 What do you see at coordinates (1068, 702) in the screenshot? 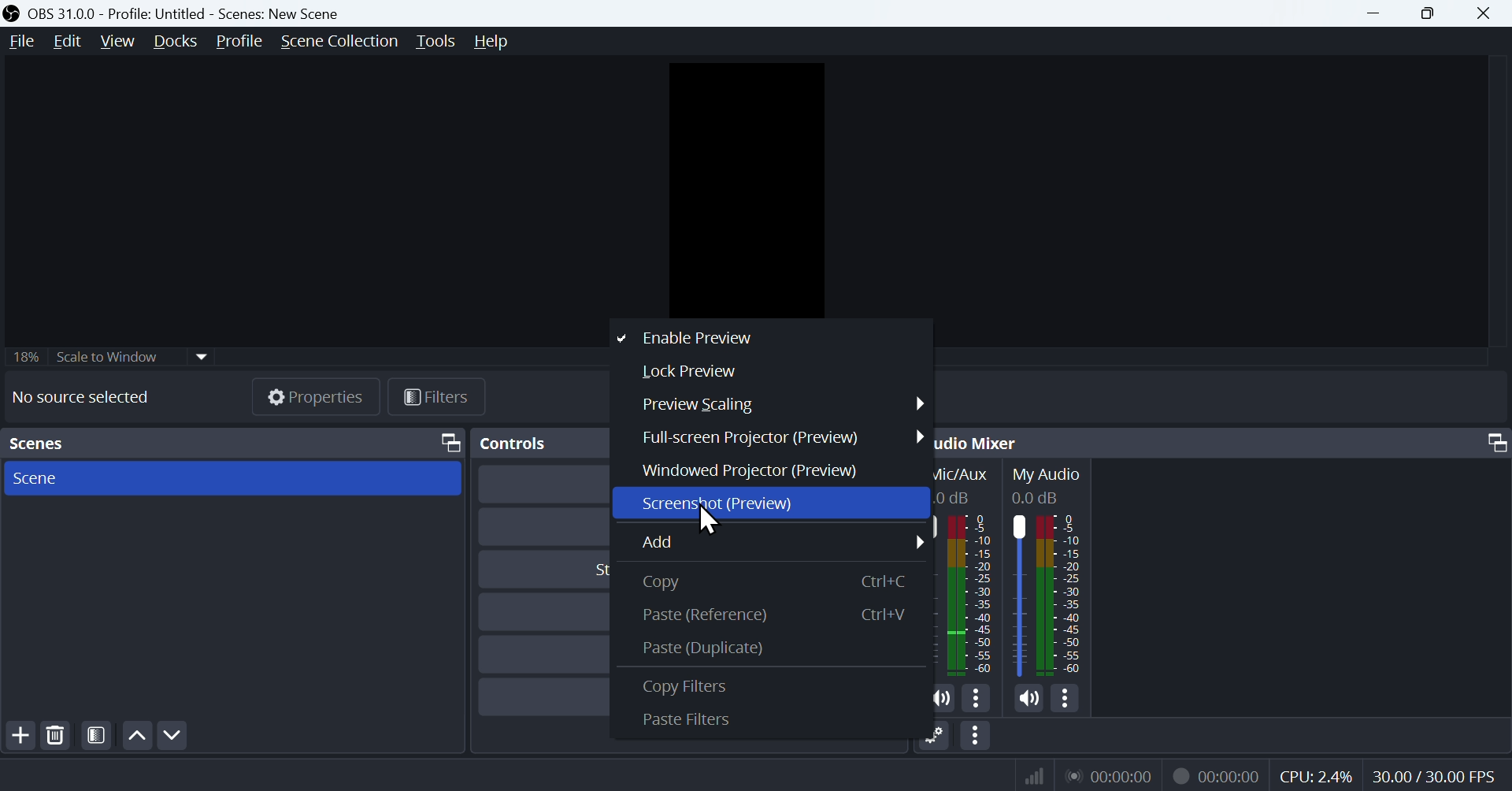
I see `More` at bounding box center [1068, 702].